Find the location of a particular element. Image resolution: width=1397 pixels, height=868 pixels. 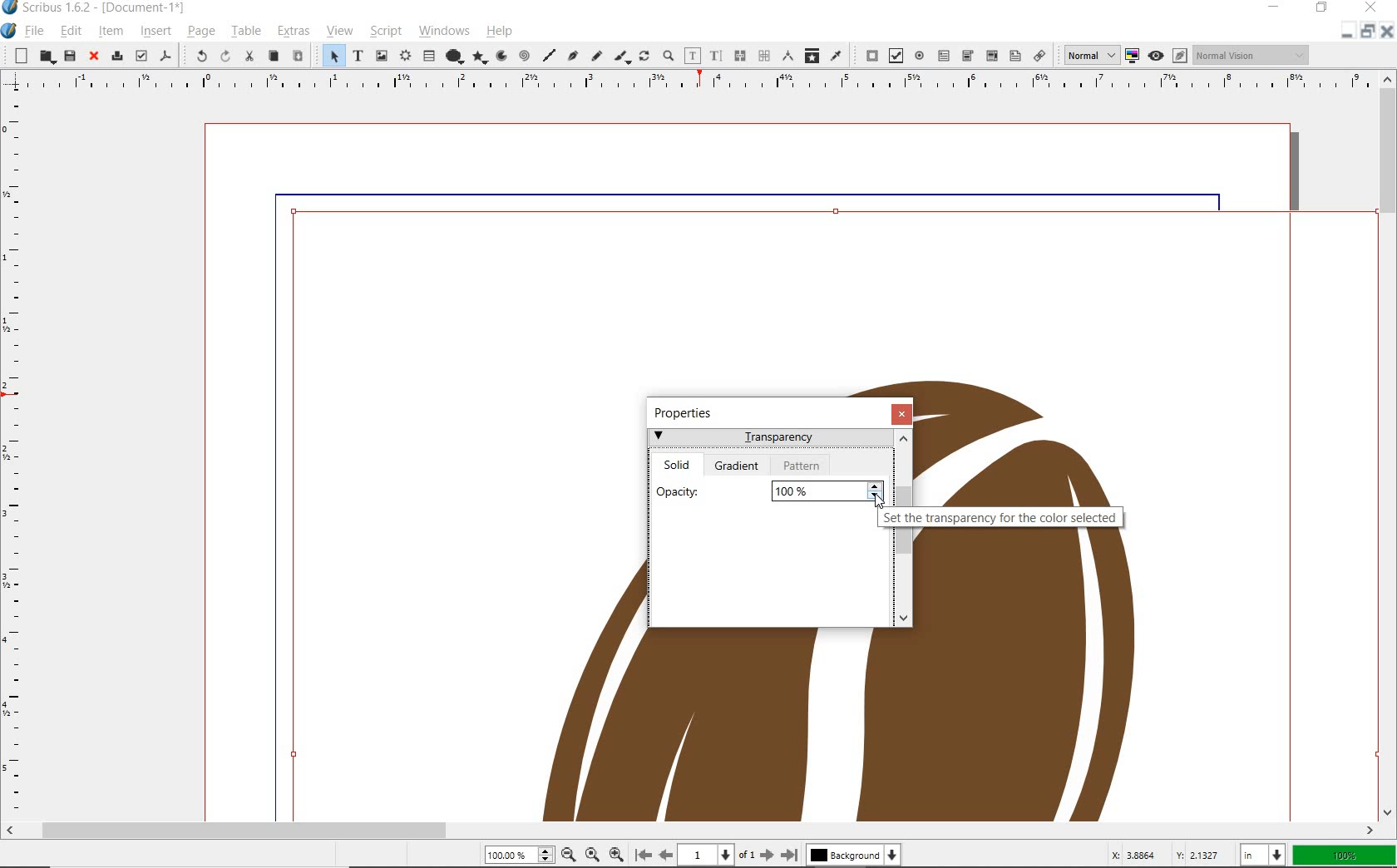

file is located at coordinates (37, 30).